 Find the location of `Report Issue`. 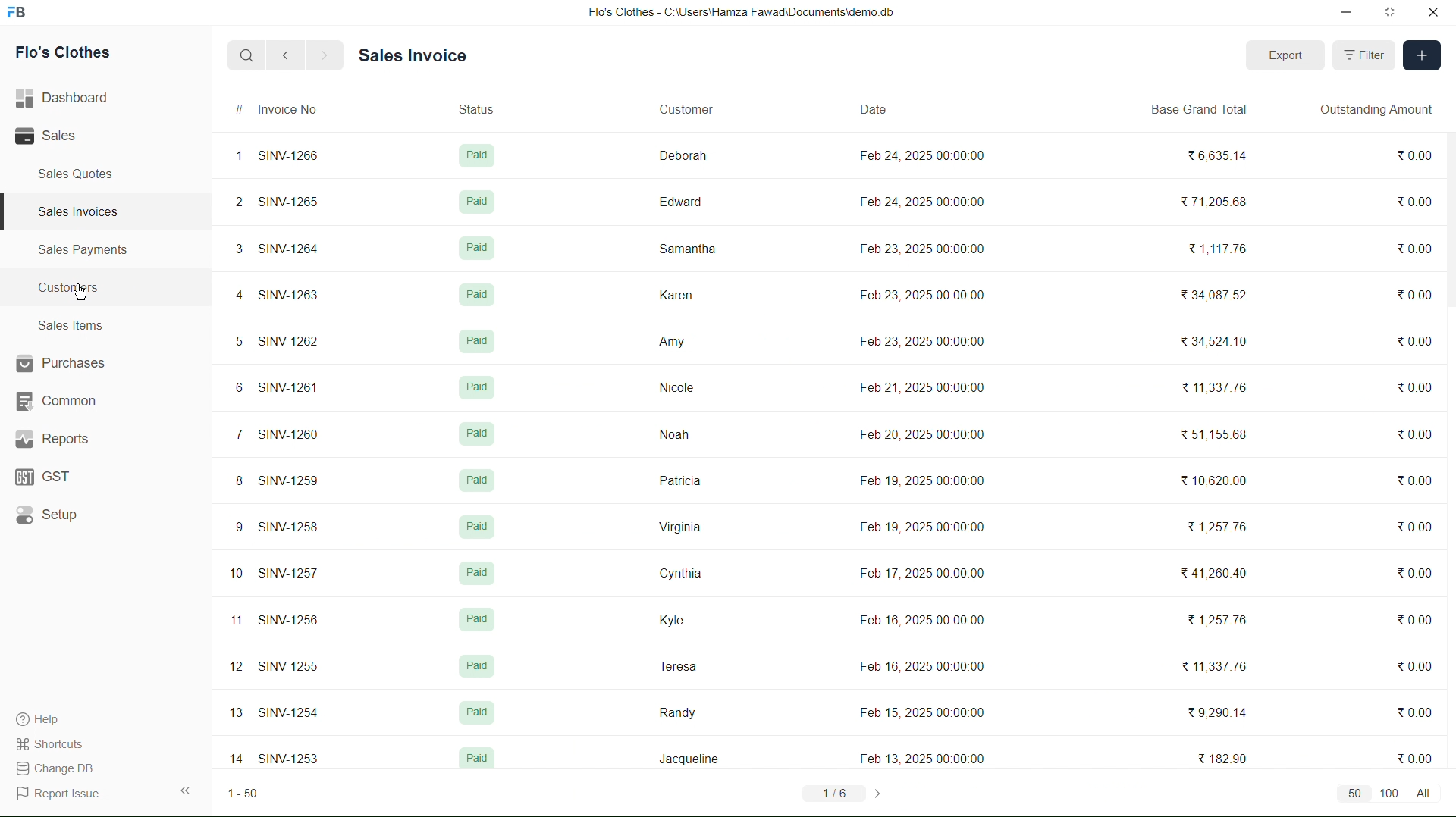

Report Issue is located at coordinates (58, 794).